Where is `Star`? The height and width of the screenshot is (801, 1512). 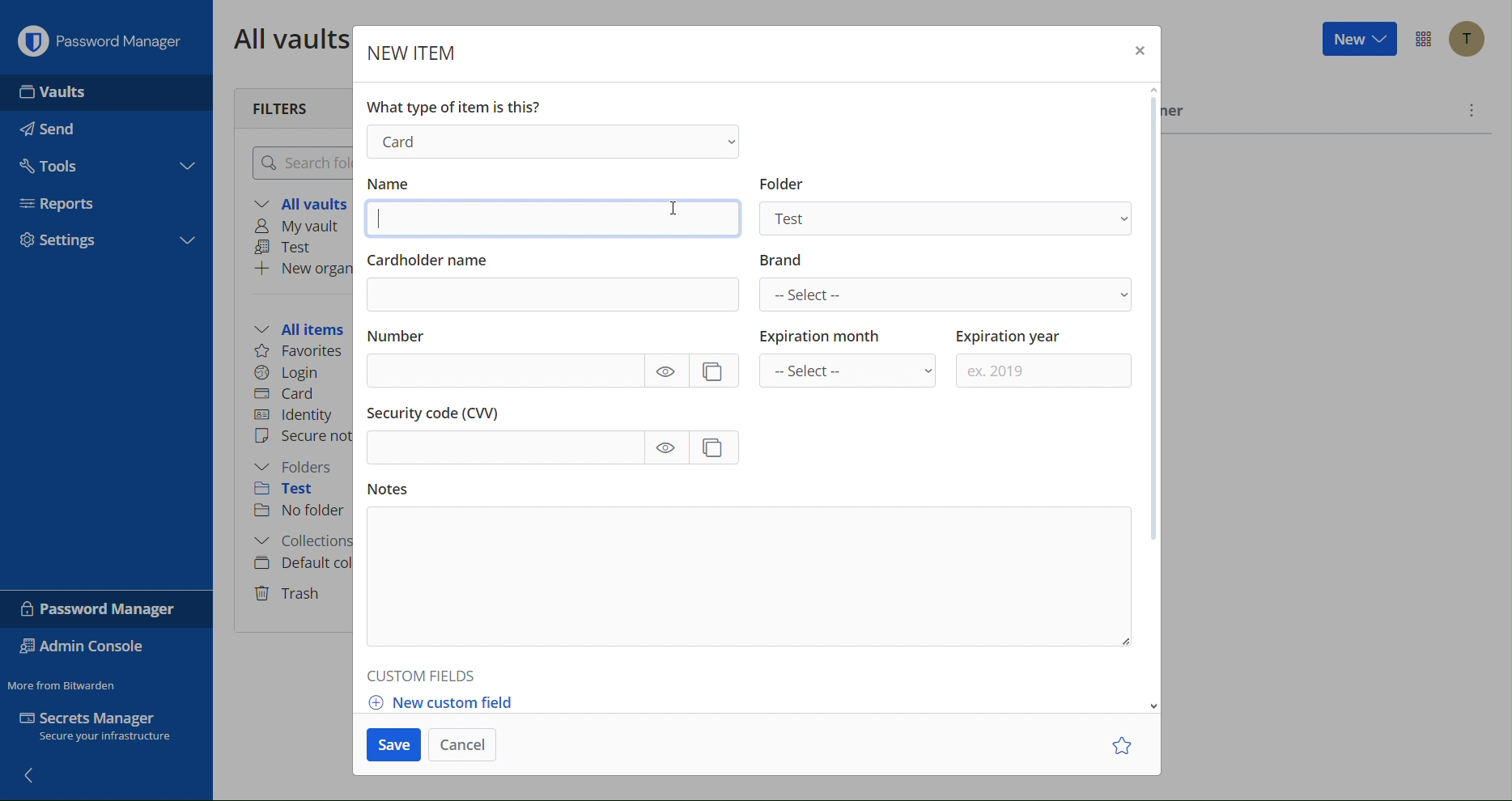 Star is located at coordinates (1123, 748).